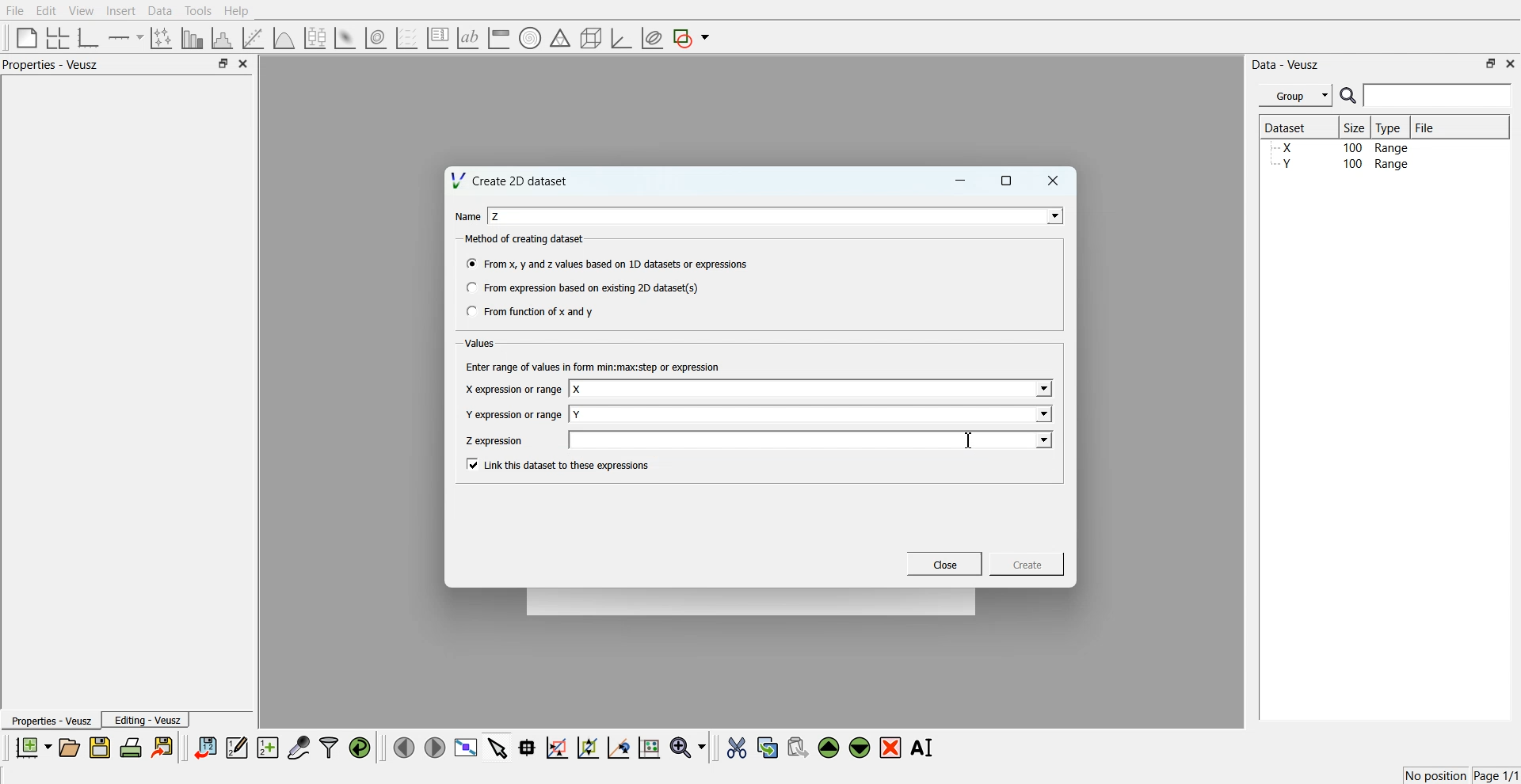 This screenshot has width=1521, height=784. I want to click on Zoom out of the graph axes, so click(588, 747).